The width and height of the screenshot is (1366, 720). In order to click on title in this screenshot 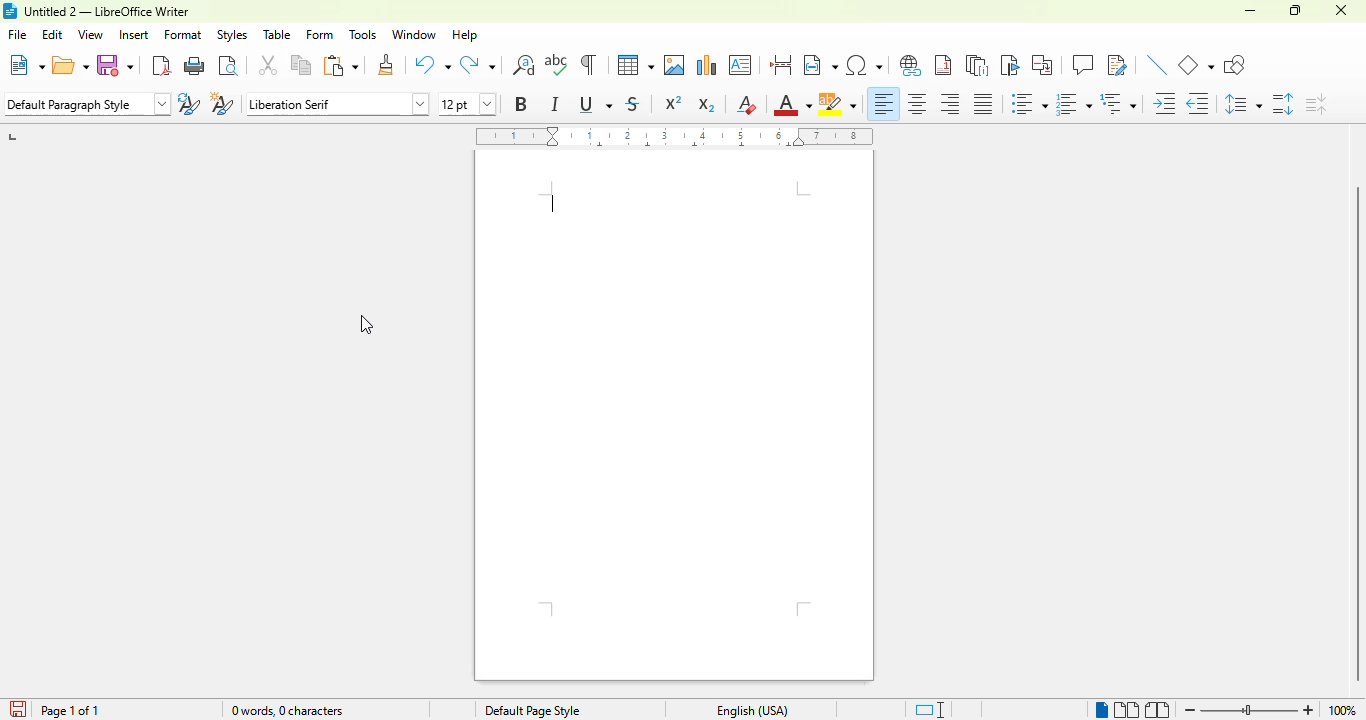, I will do `click(107, 11)`.